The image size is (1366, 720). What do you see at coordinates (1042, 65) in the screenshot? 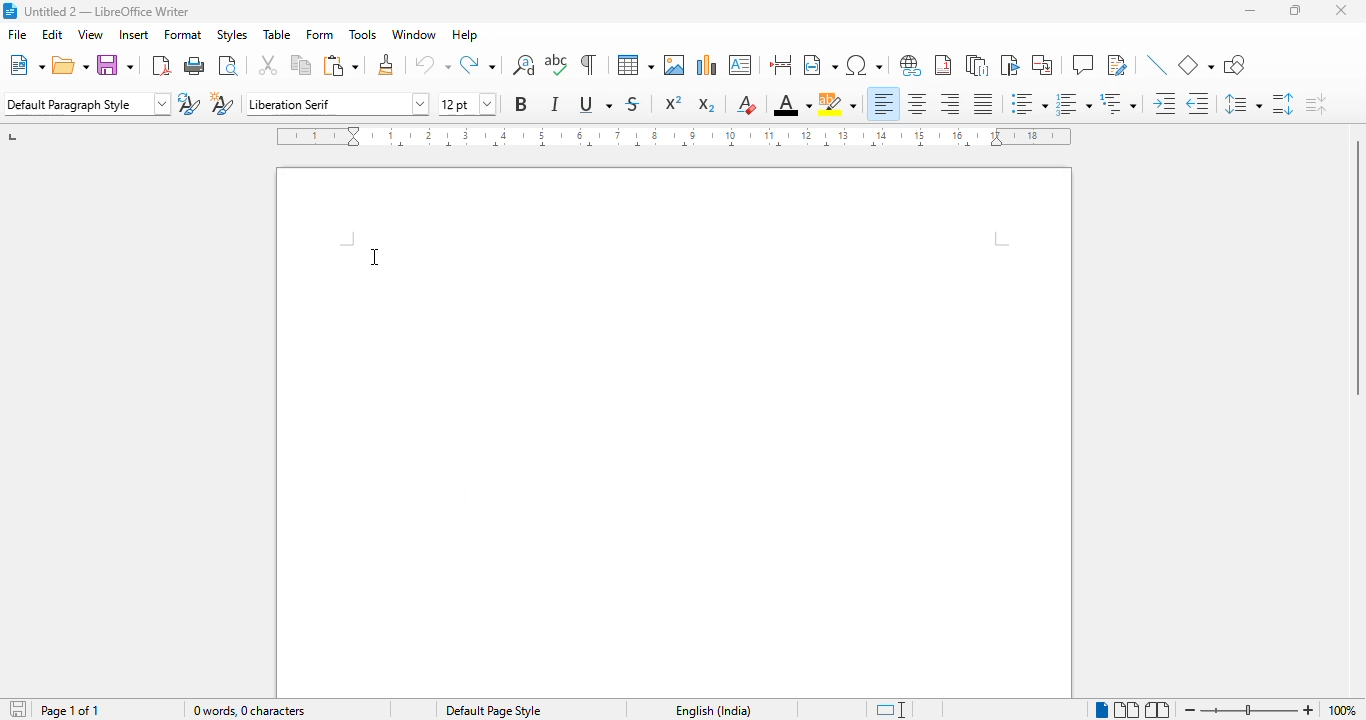
I see `insert cross-reference` at bounding box center [1042, 65].